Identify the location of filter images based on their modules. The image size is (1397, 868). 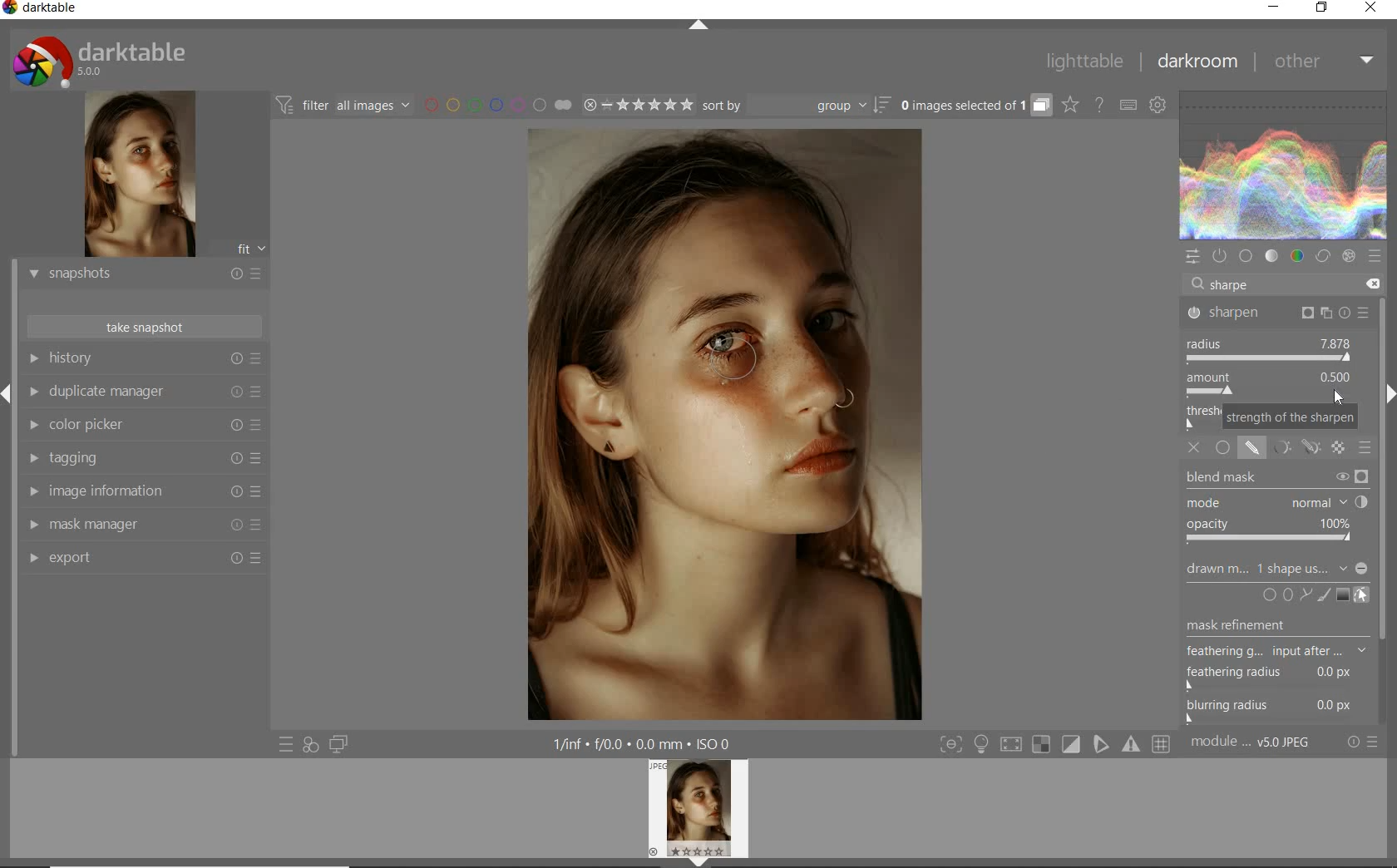
(341, 104).